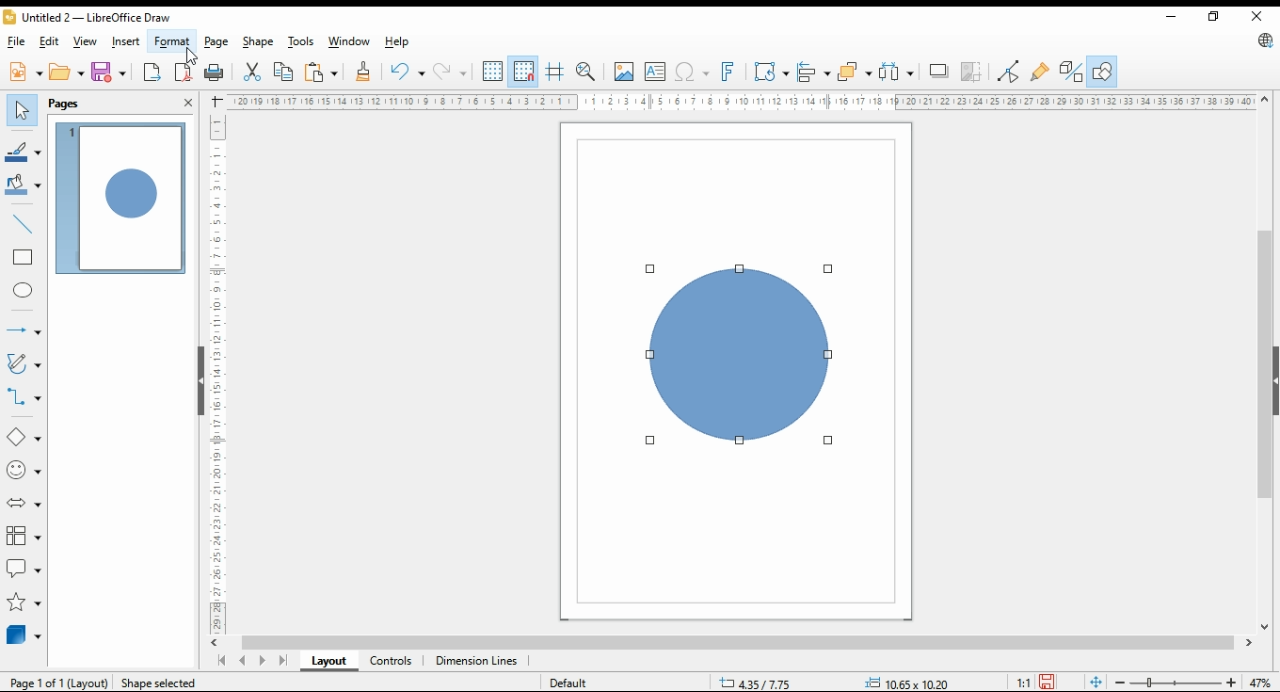 Image resolution: width=1280 pixels, height=692 pixels. Describe the element at coordinates (258, 42) in the screenshot. I see `shape` at that location.